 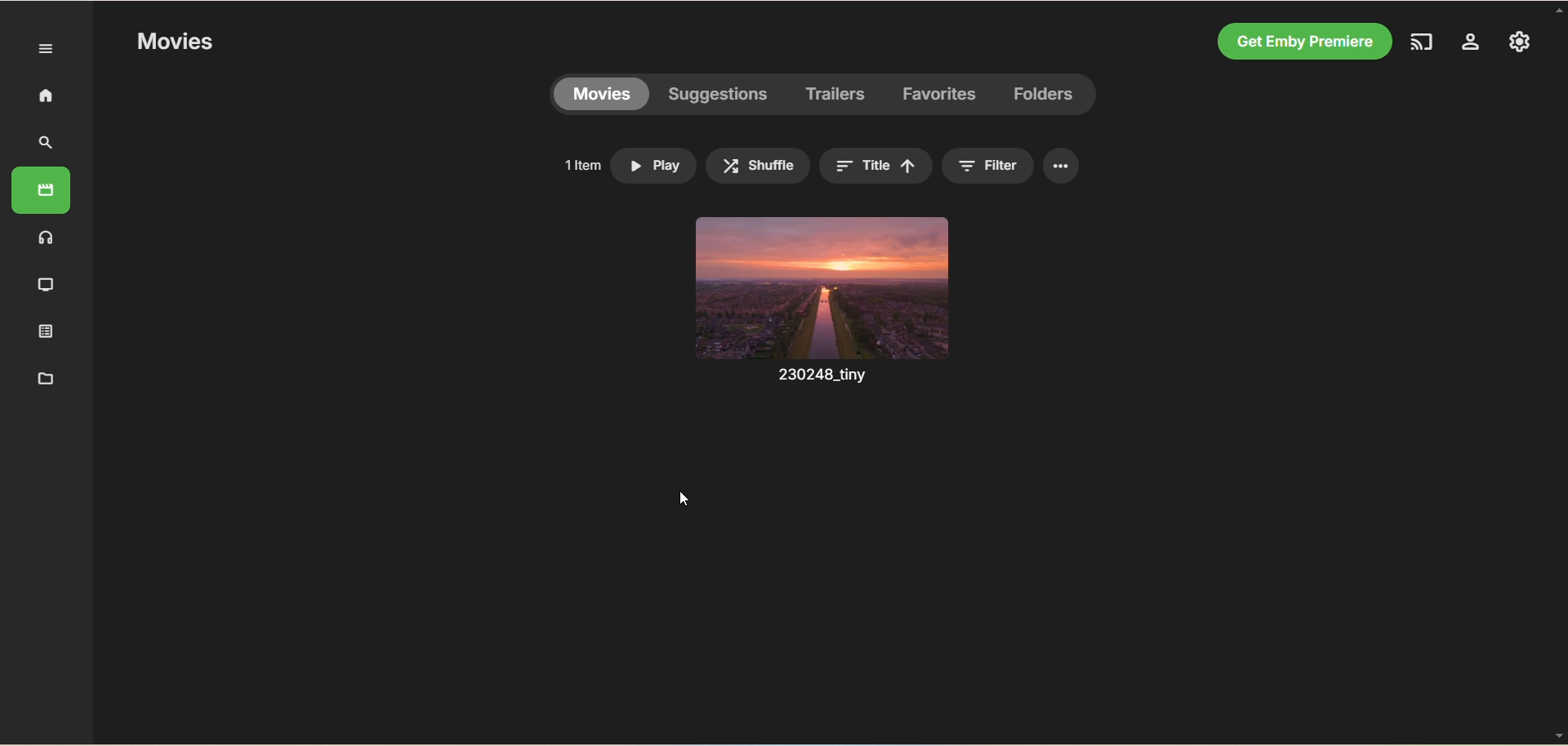 What do you see at coordinates (942, 99) in the screenshot?
I see `favorites` at bounding box center [942, 99].